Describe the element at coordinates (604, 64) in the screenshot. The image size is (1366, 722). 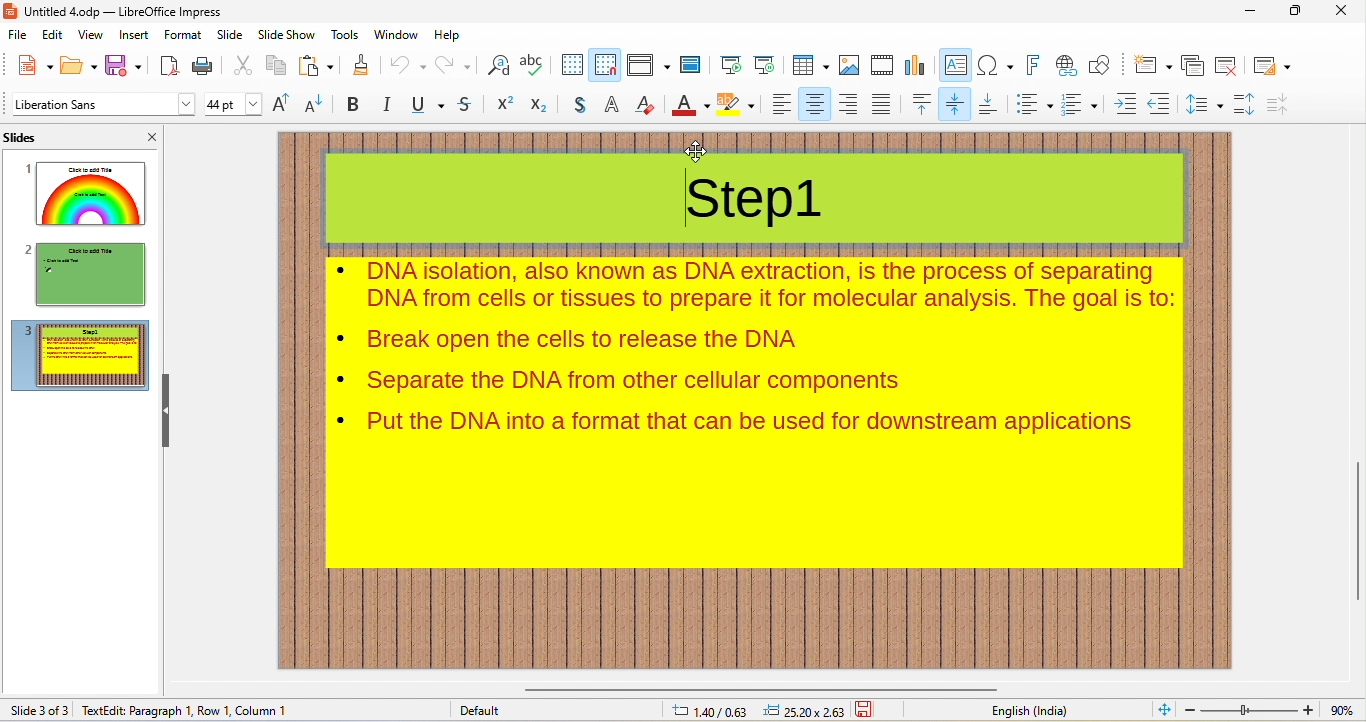
I see `snap to grid` at that location.